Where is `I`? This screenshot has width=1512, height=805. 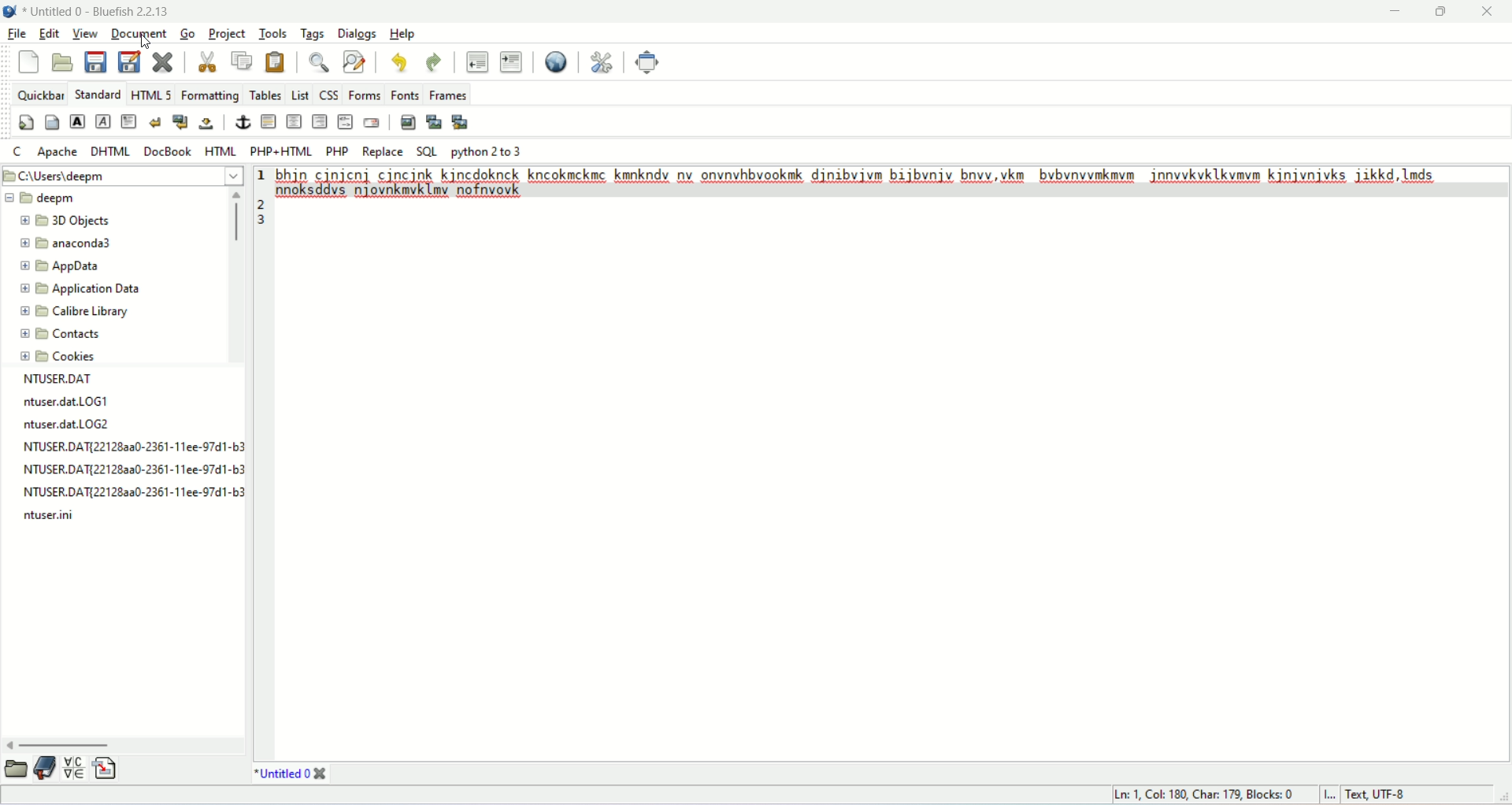 I is located at coordinates (1330, 794).